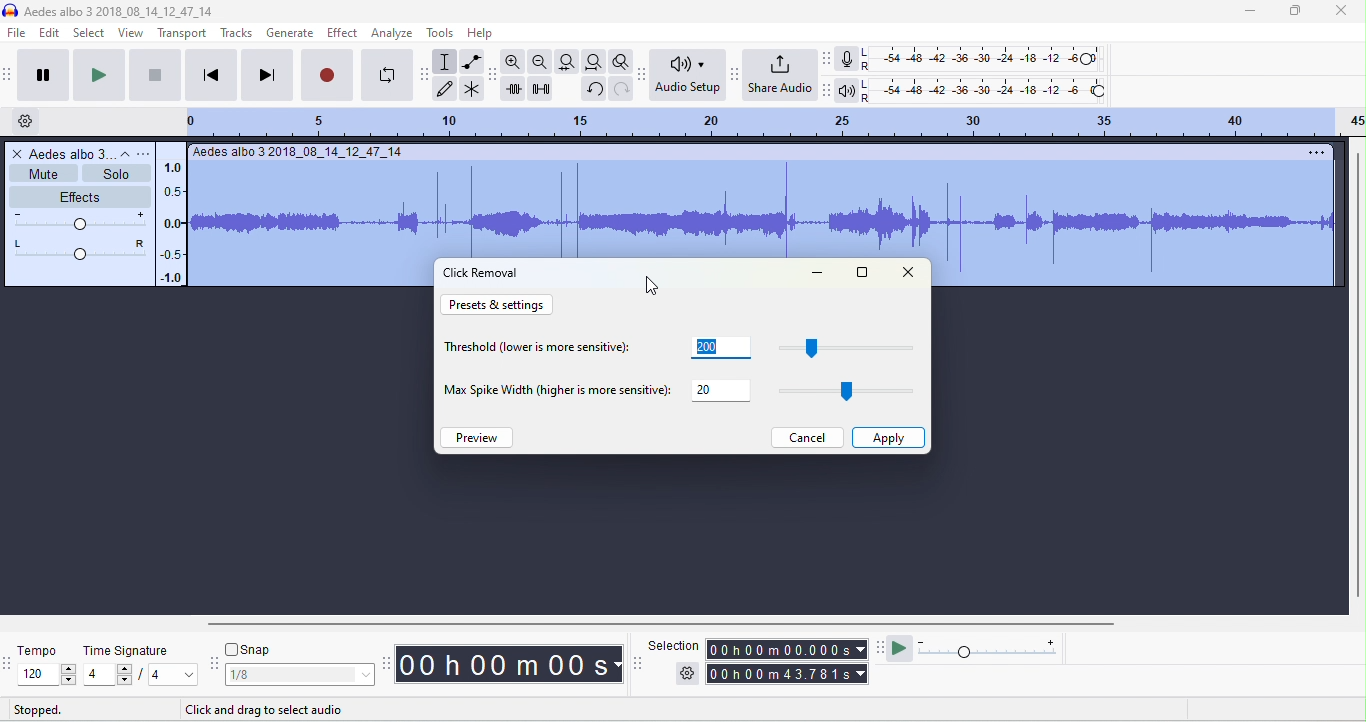  I want to click on recording meter toolbar, so click(828, 58).